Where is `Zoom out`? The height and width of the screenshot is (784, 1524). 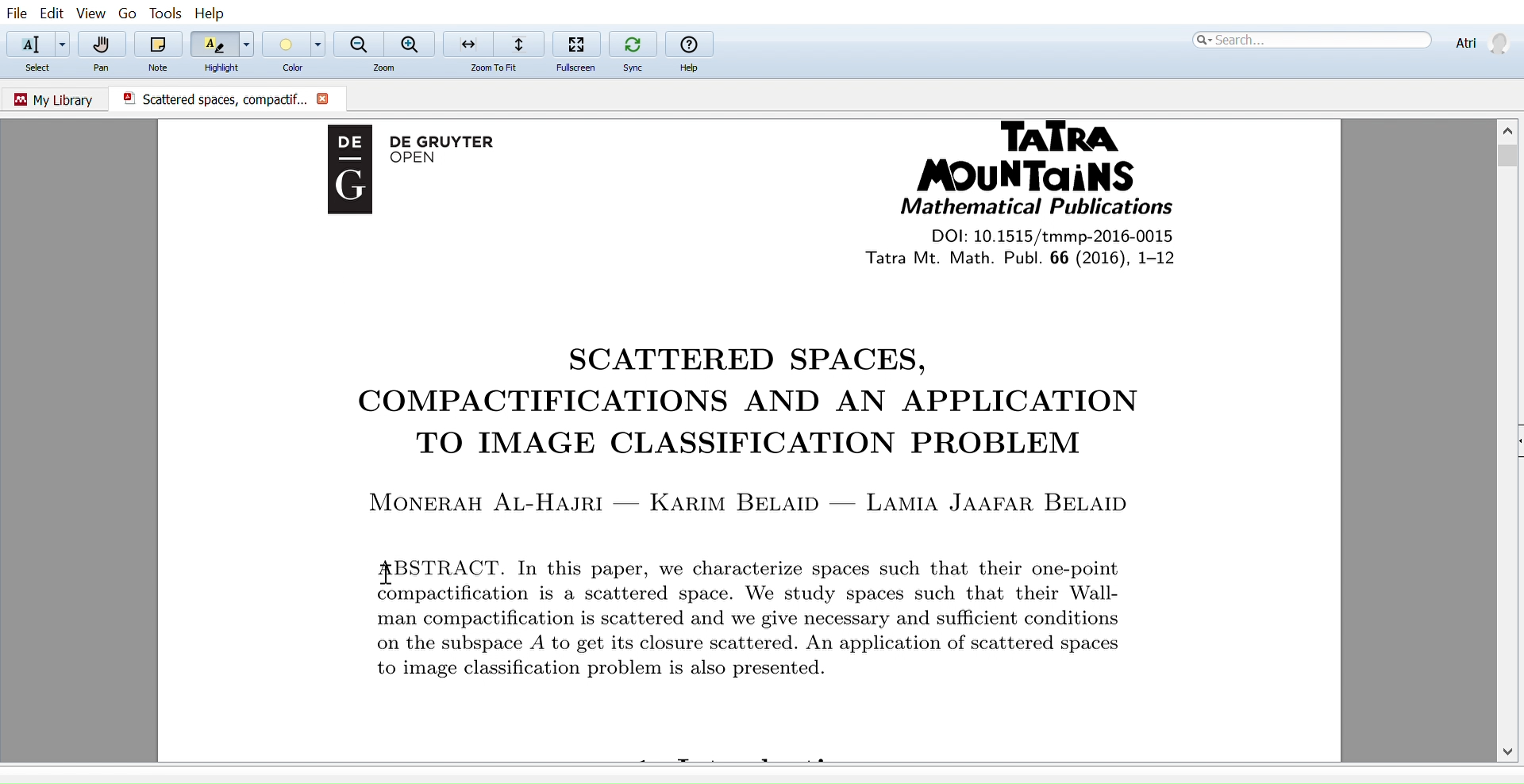 Zoom out is located at coordinates (359, 42).